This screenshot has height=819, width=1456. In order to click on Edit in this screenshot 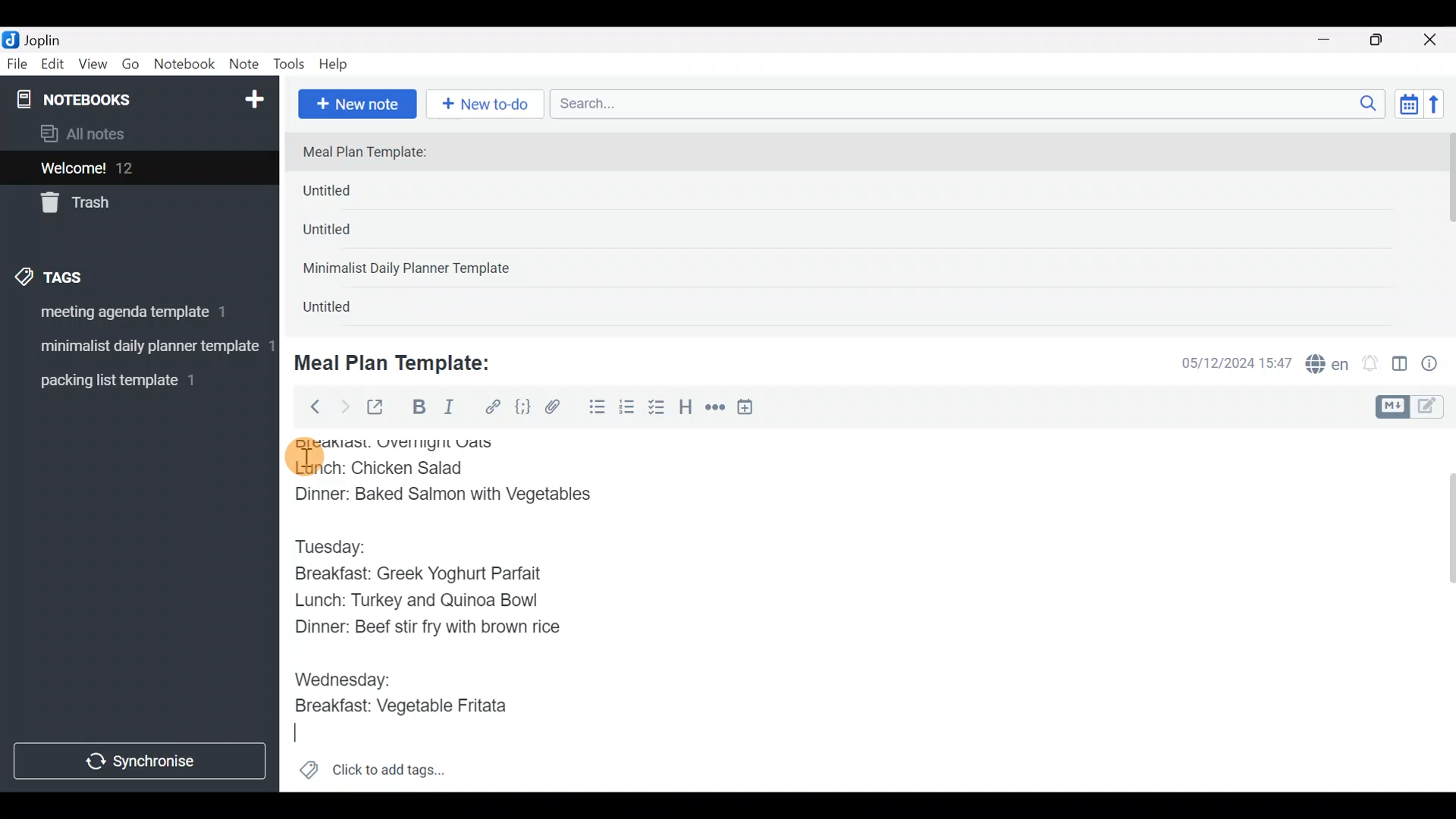, I will do `click(53, 67)`.